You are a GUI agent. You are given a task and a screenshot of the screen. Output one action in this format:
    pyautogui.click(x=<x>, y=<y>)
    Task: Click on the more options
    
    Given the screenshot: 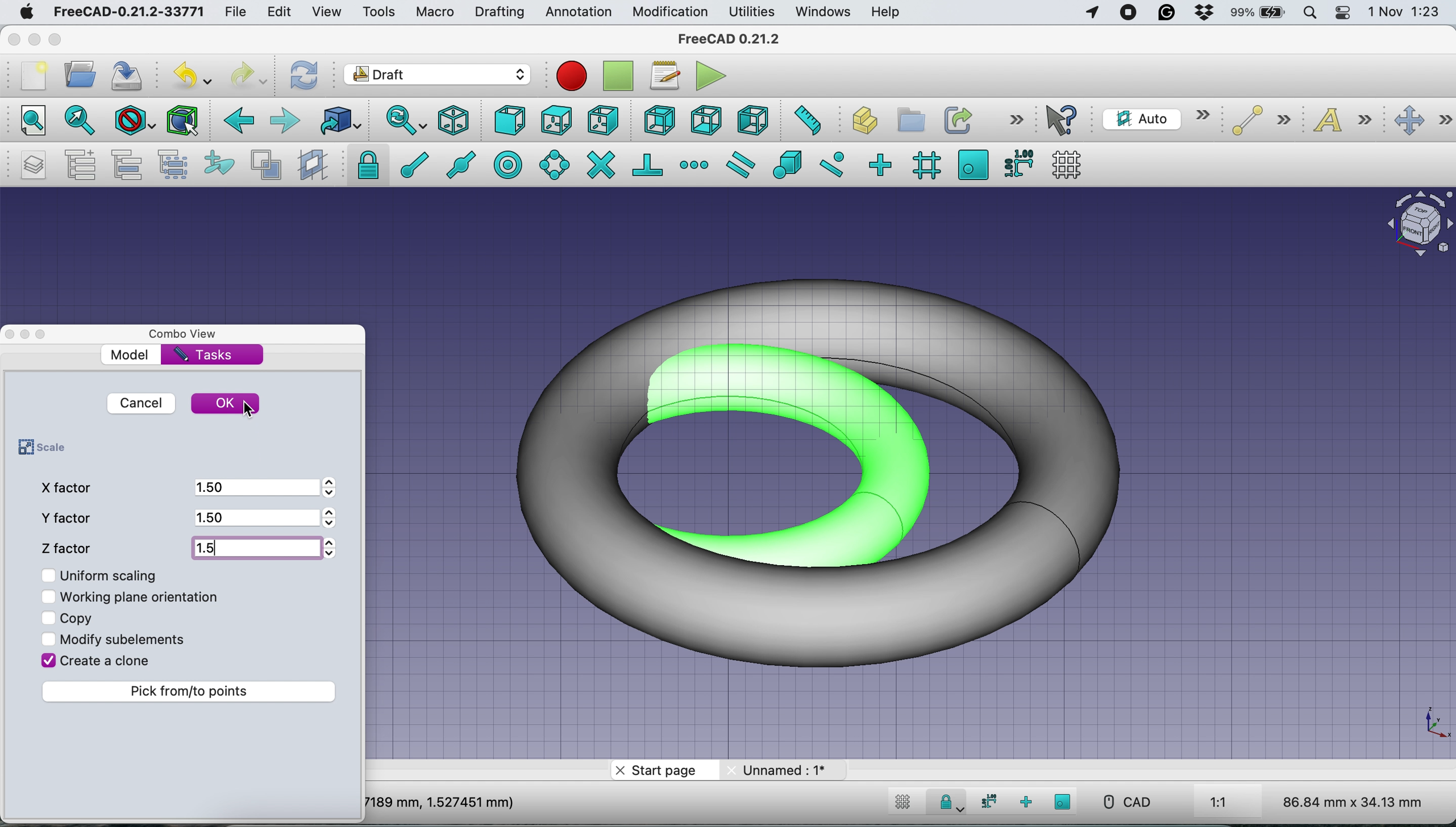 What is the action you would take?
    pyautogui.click(x=1014, y=120)
    